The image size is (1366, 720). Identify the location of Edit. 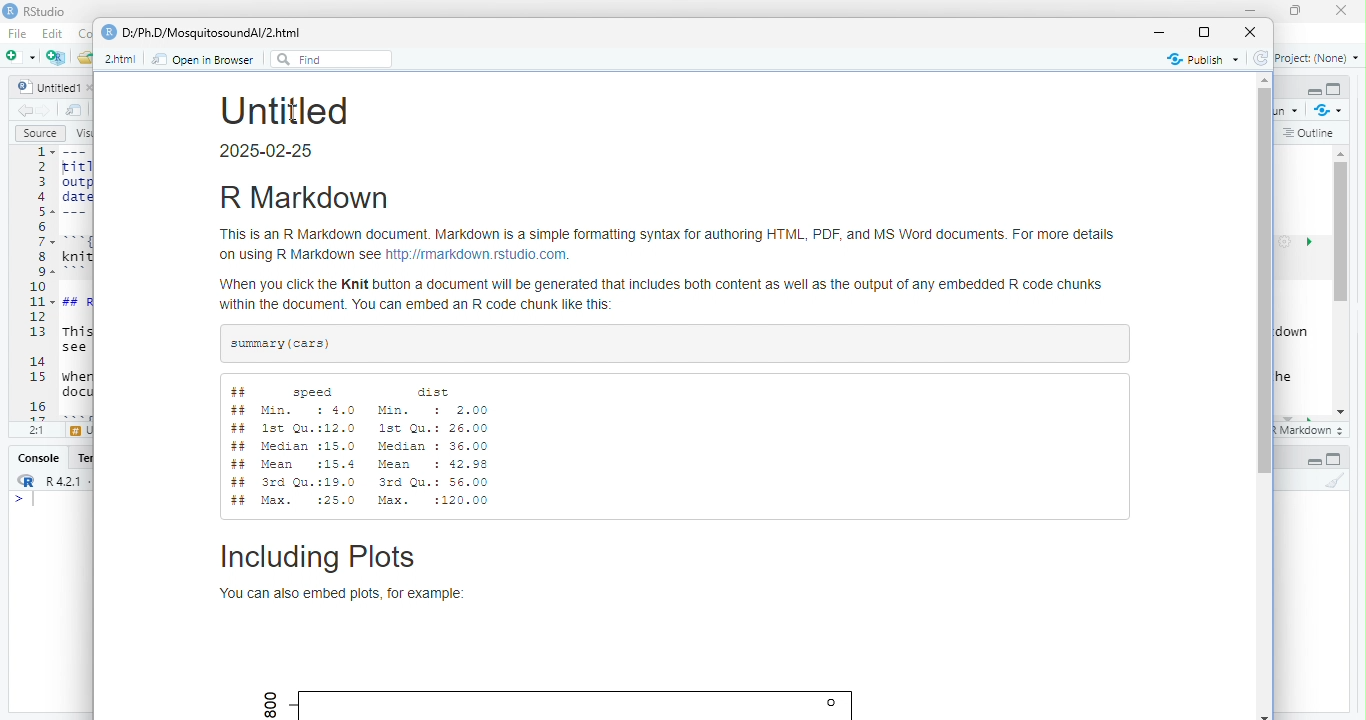
(54, 33).